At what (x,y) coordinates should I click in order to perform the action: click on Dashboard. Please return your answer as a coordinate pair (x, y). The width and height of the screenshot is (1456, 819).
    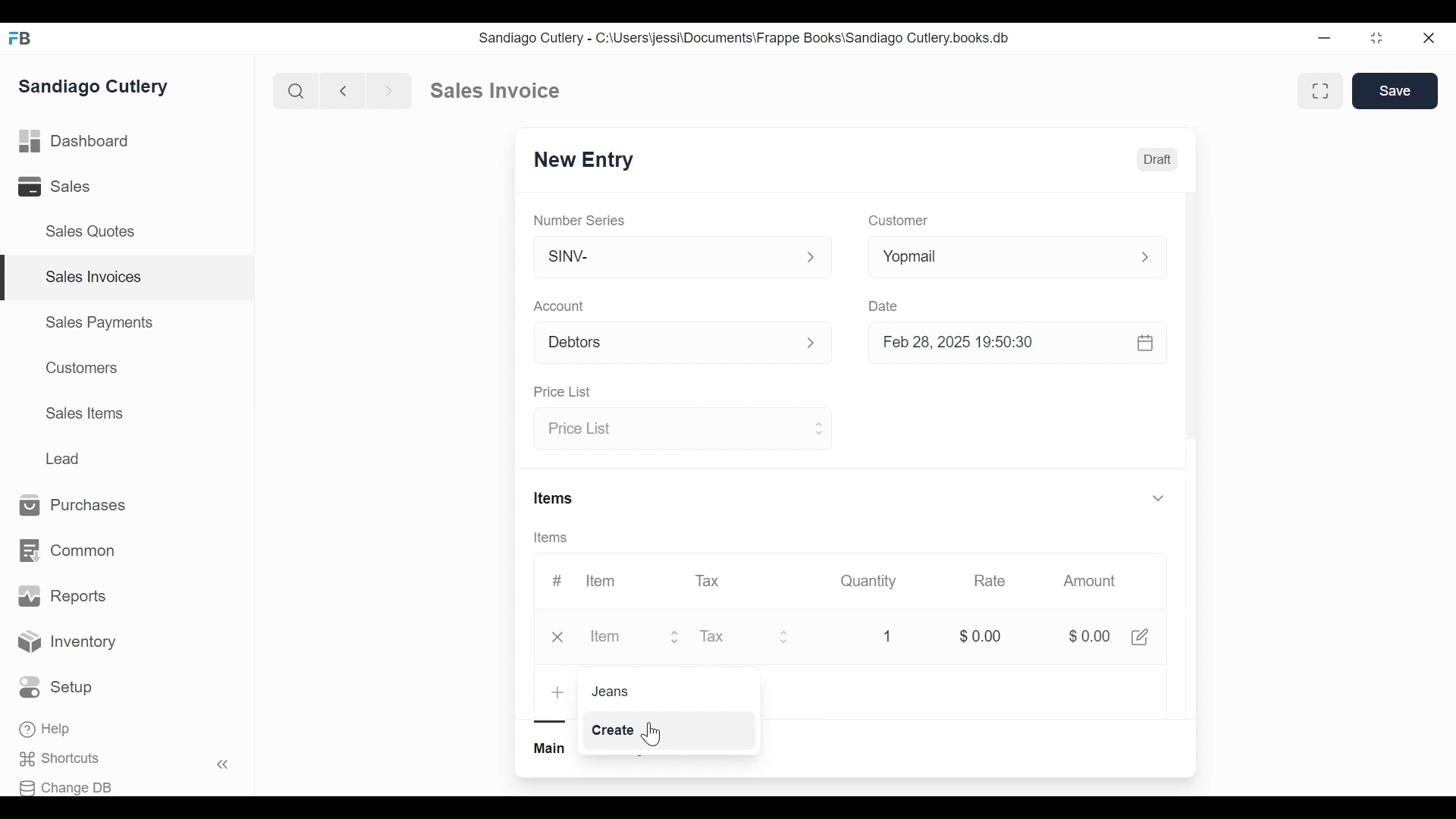
    Looking at the image, I should click on (75, 140).